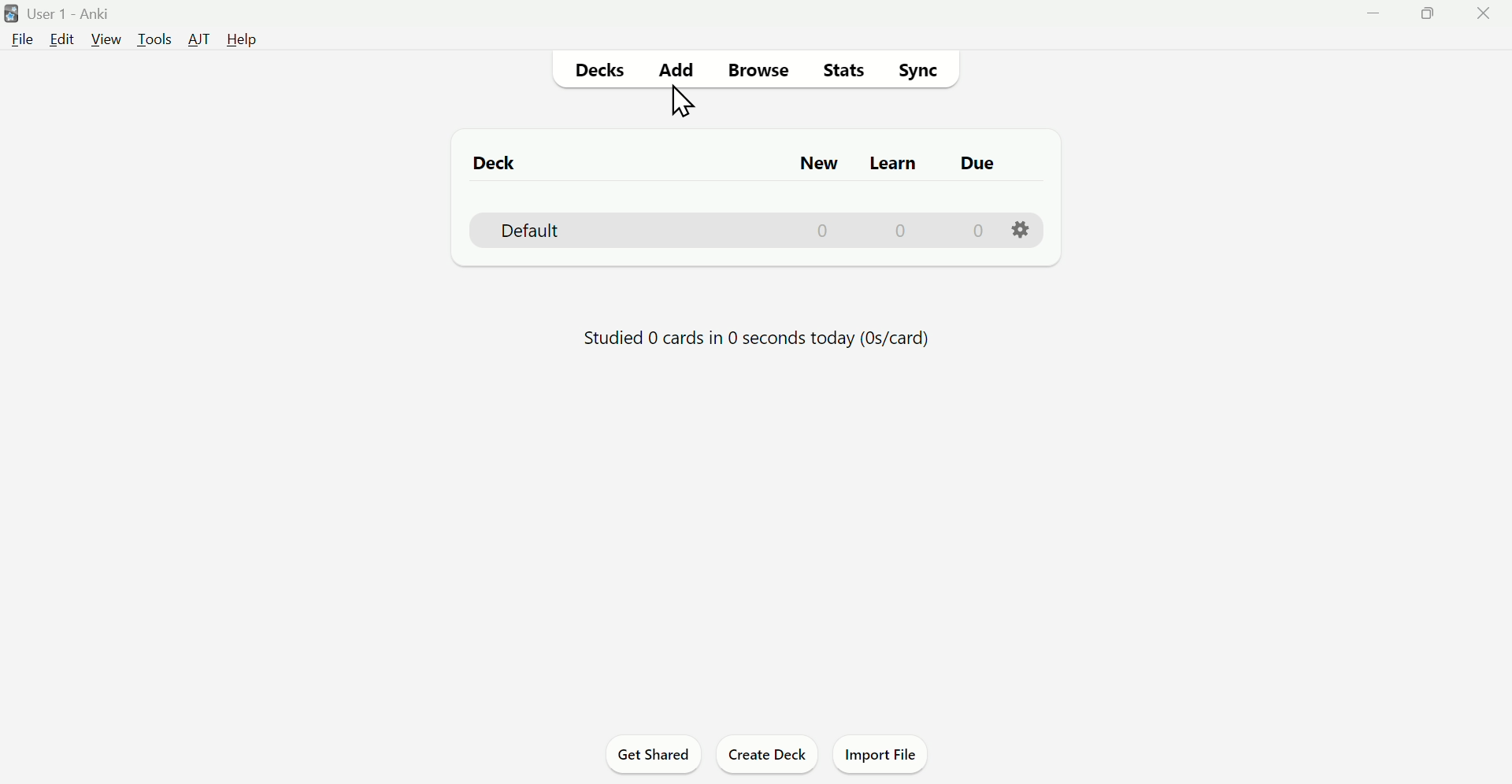 This screenshot has height=784, width=1512. What do you see at coordinates (22, 41) in the screenshot?
I see `File` at bounding box center [22, 41].